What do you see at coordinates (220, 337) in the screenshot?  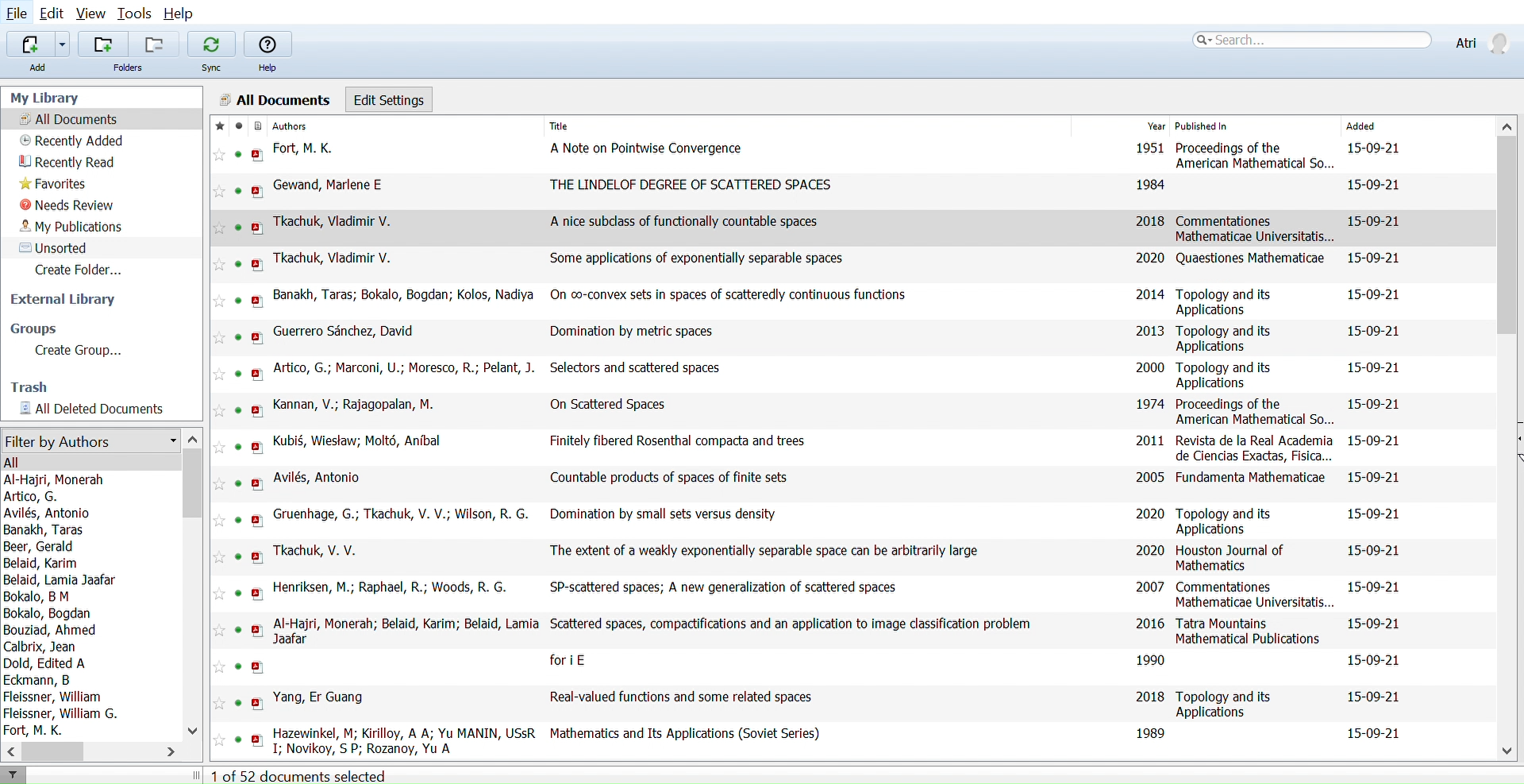 I see `Add this reference to favorites` at bounding box center [220, 337].